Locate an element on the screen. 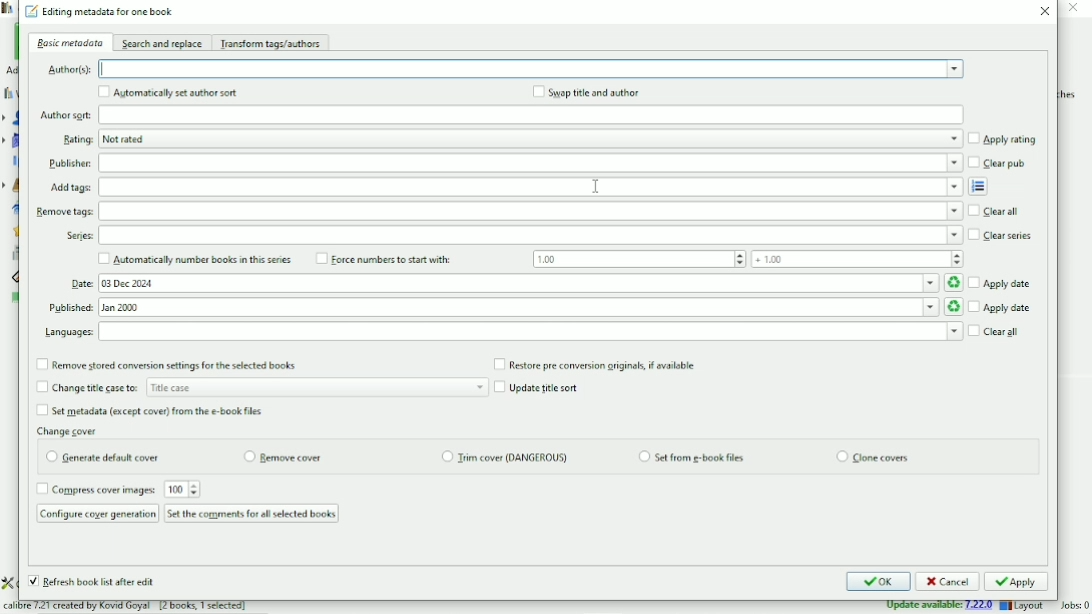  Transform tags/authors is located at coordinates (273, 44).